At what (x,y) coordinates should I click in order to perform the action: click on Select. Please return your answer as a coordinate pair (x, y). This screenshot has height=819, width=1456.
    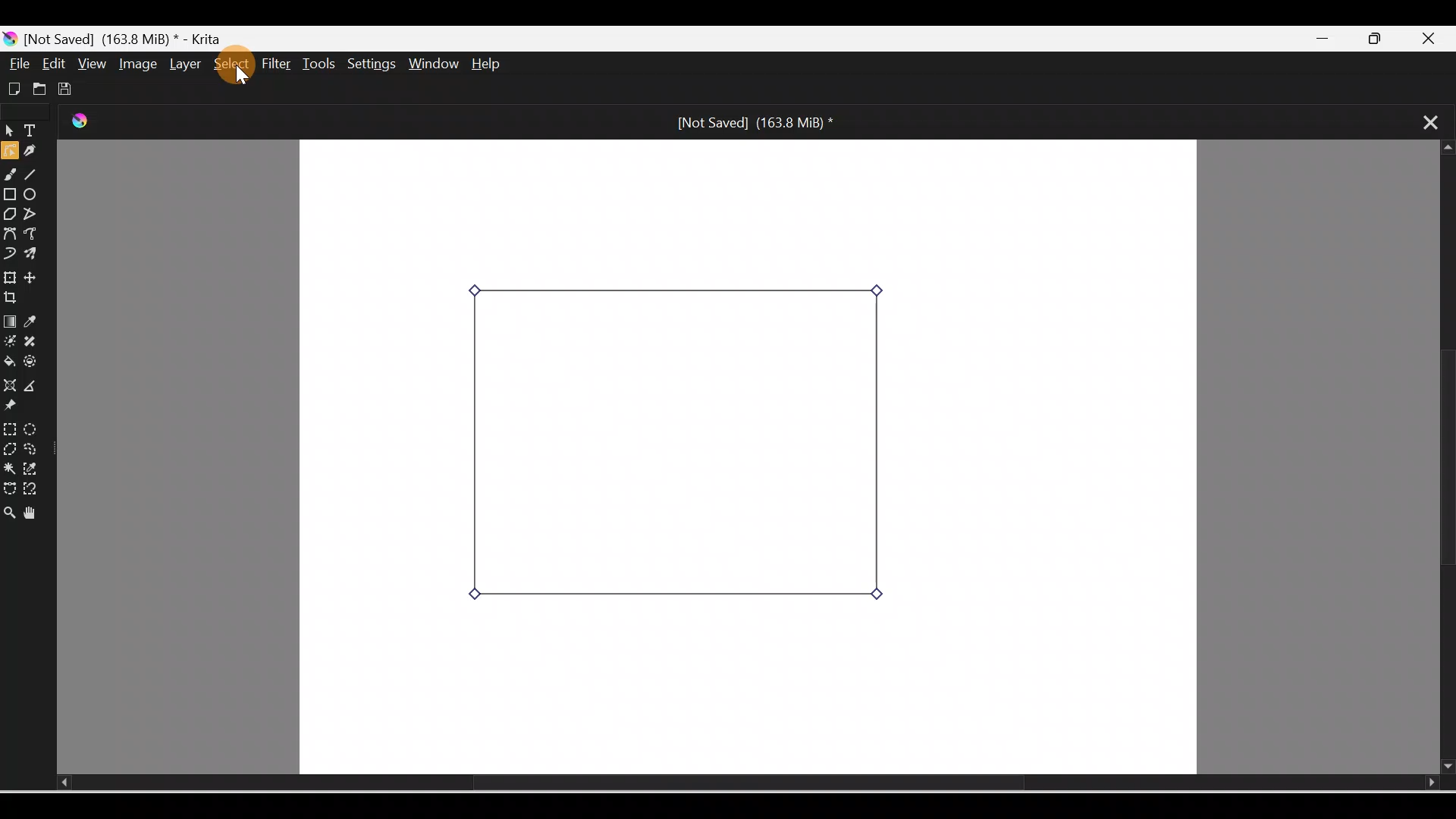
    Looking at the image, I should click on (227, 63).